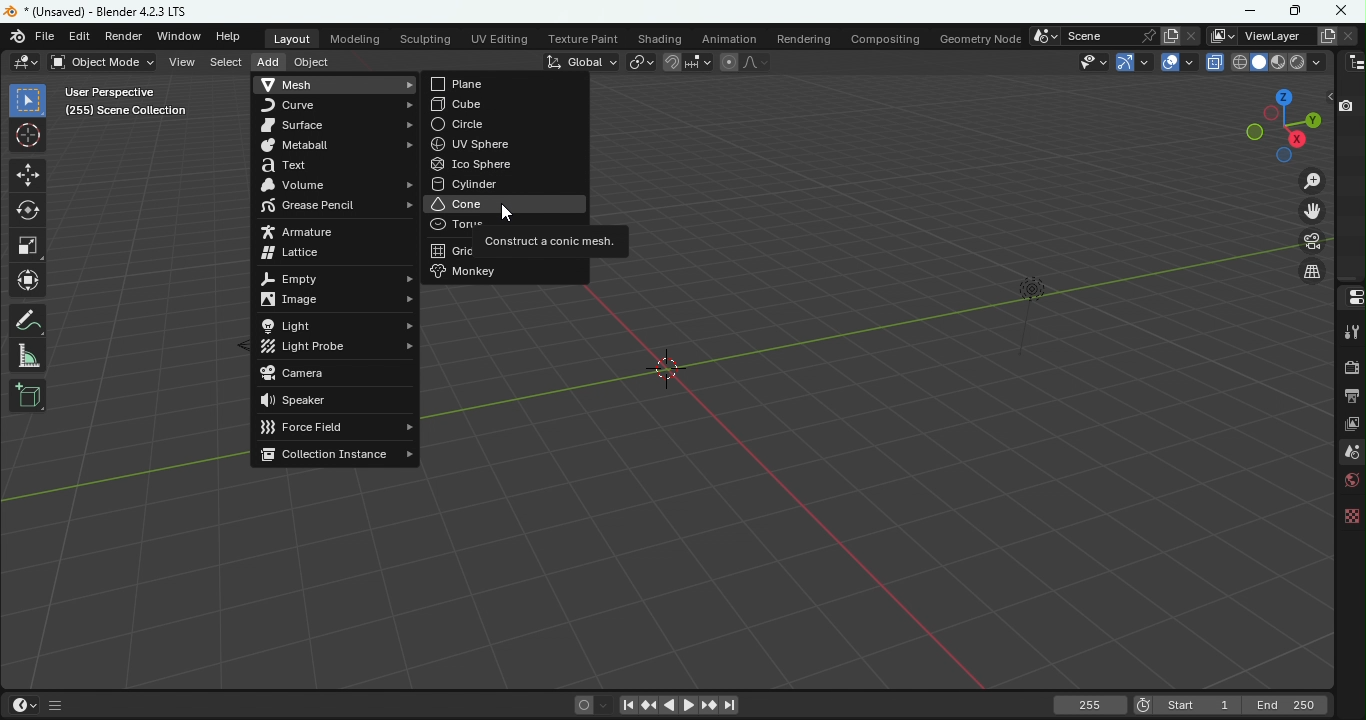 Image resolution: width=1366 pixels, height=720 pixels. Describe the element at coordinates (354, 37) in the screenshot. I see `Modeling` at that location.